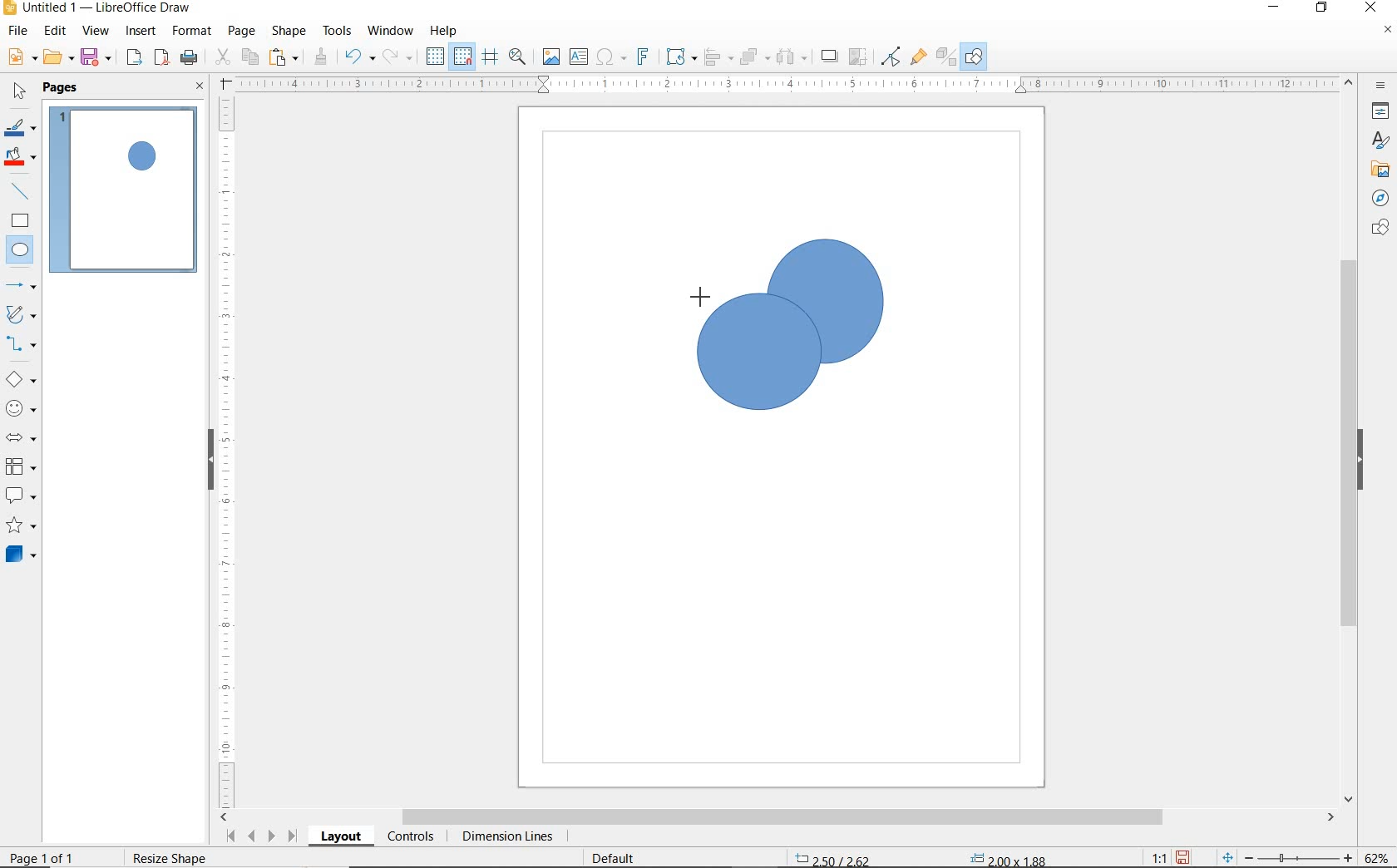 The width and height of the screenshot is (1397, 868). Describe the element at coordinates (717, 59) in the screenshot. I see `ALIGN OBJECTS` at that location.